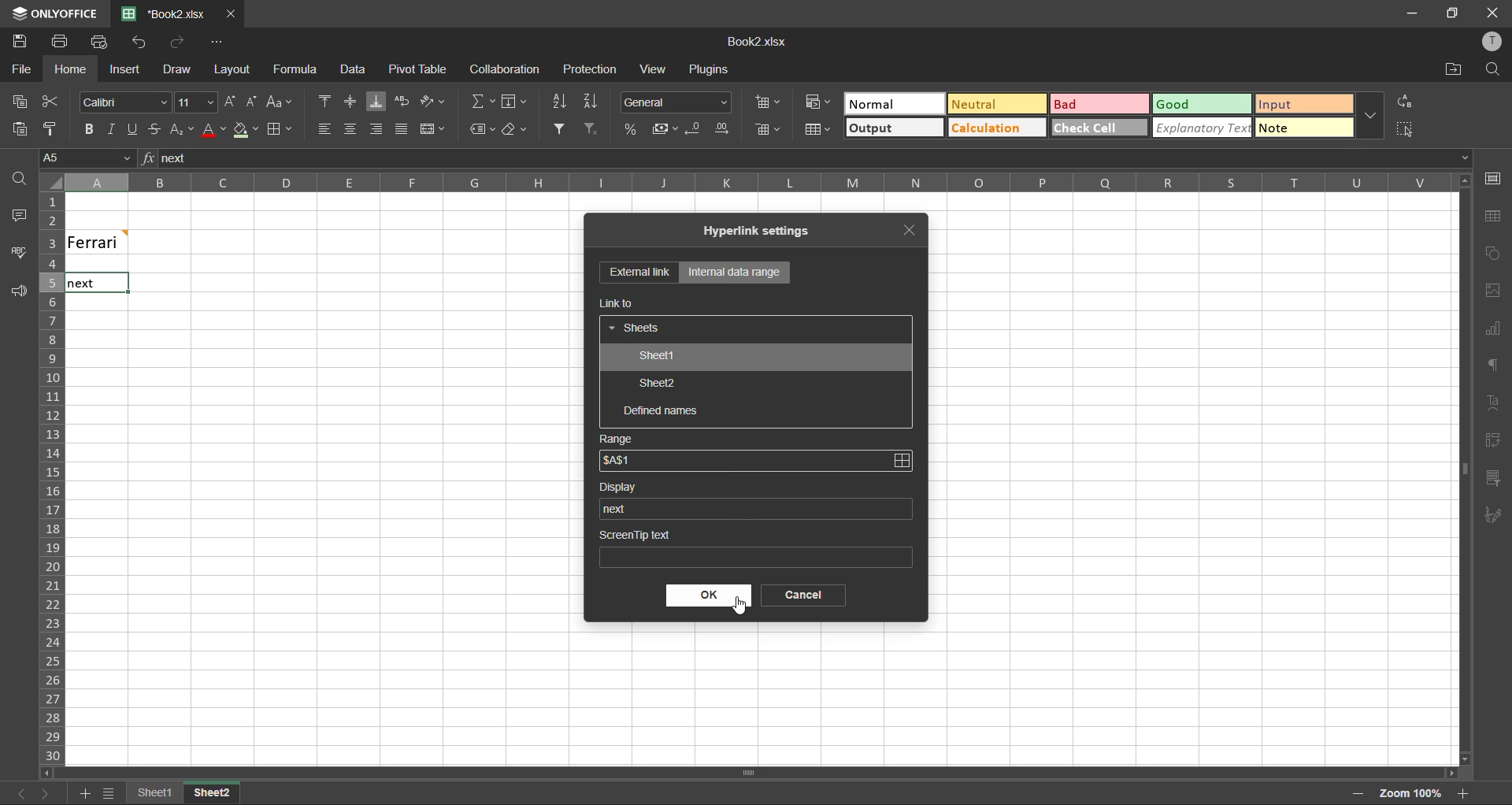 The height and width of the screenshot is (805, 1512). What do you see at coordinates (652, 69) in the screenshot?
I see `view` at bounding box center [652, 69].